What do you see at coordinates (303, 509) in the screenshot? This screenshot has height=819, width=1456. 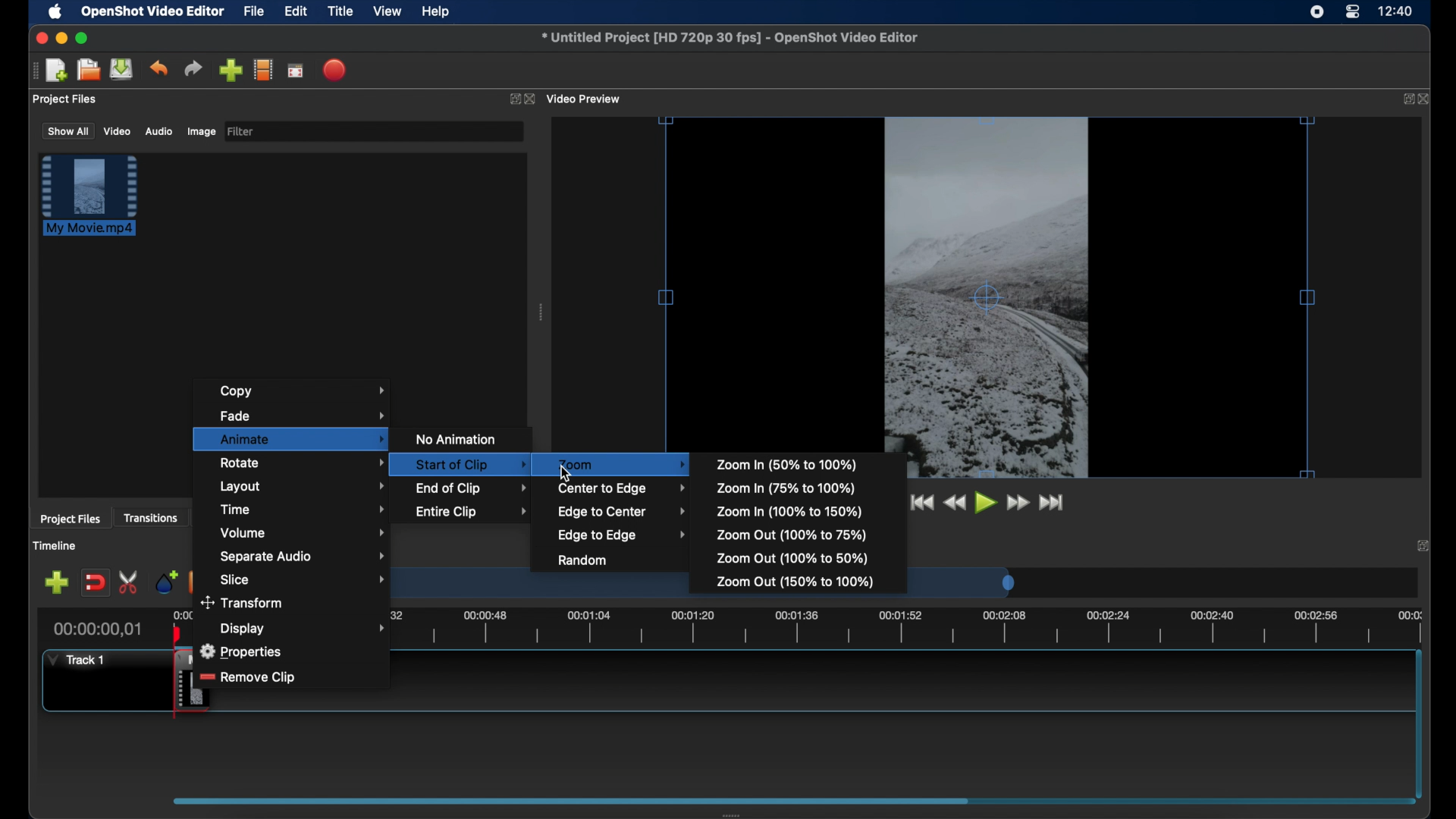 I see `time menu` at bounding box center [303, 509].